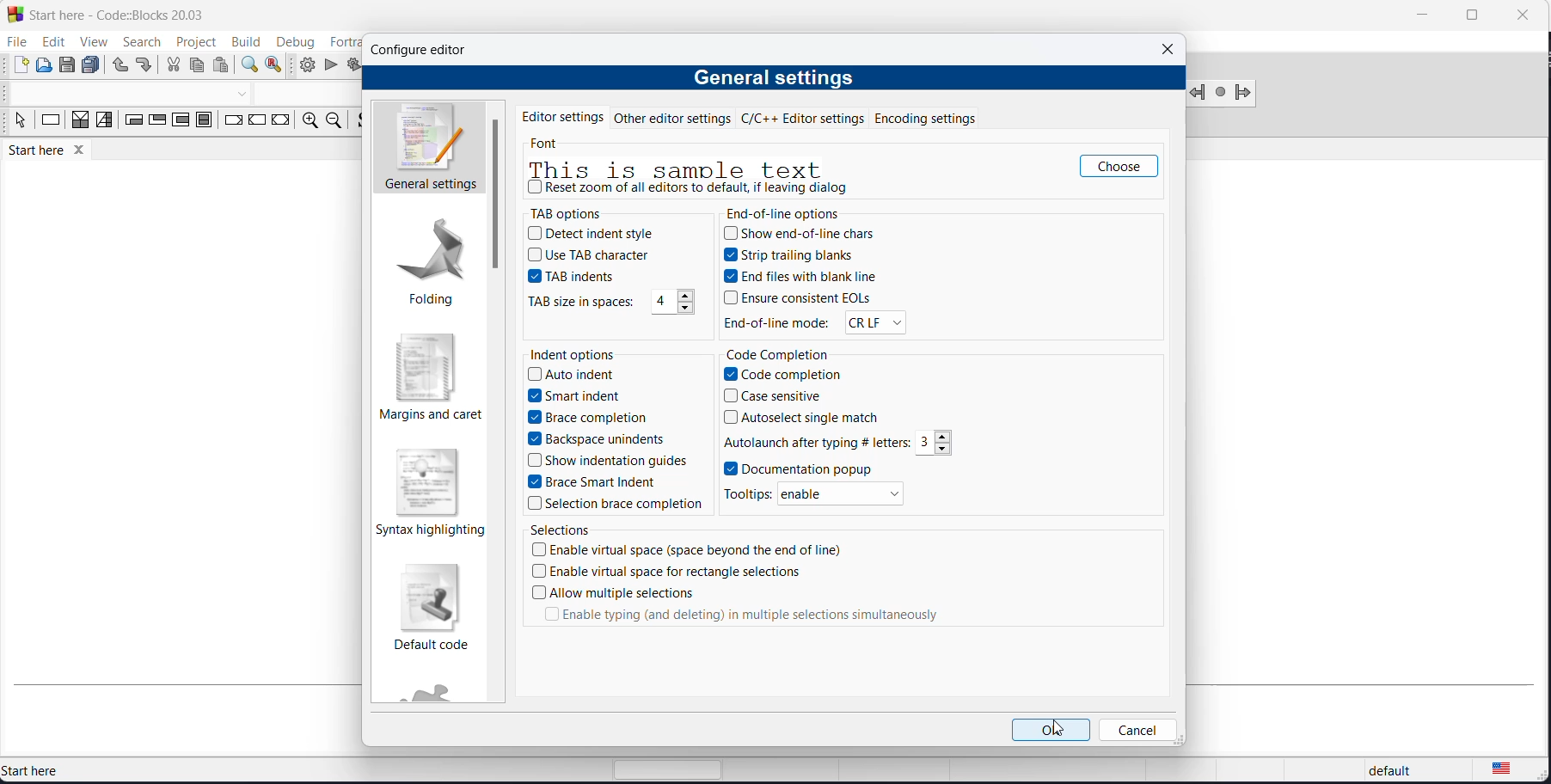  Describe the element at coordinates (579, 279) in the screenshot. I see `TAB indents` at that location.